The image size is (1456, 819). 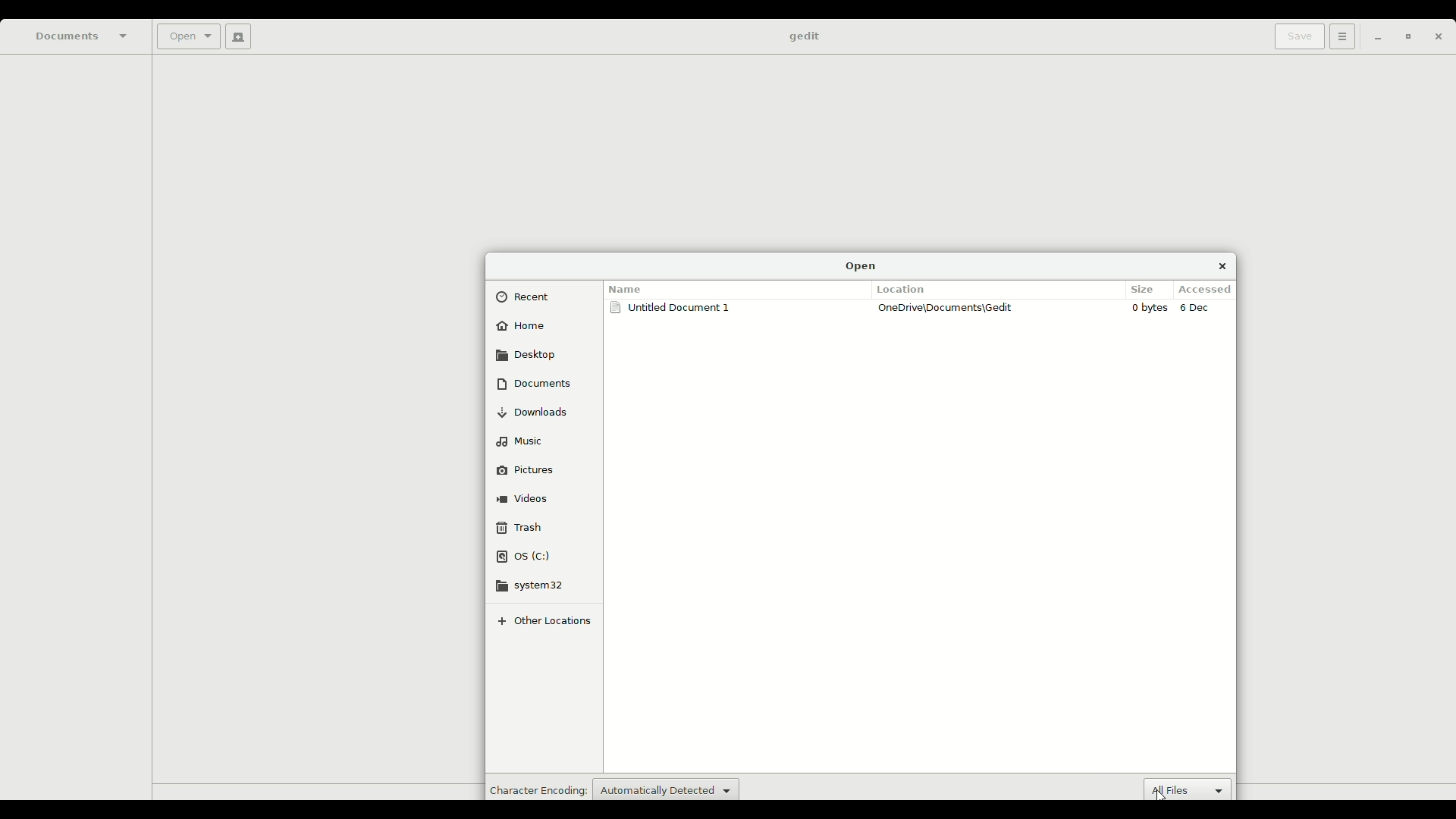 What do you see at coordinates (523, 328) in the screenshot?
I see `Home` at bounding box center [523, 328].